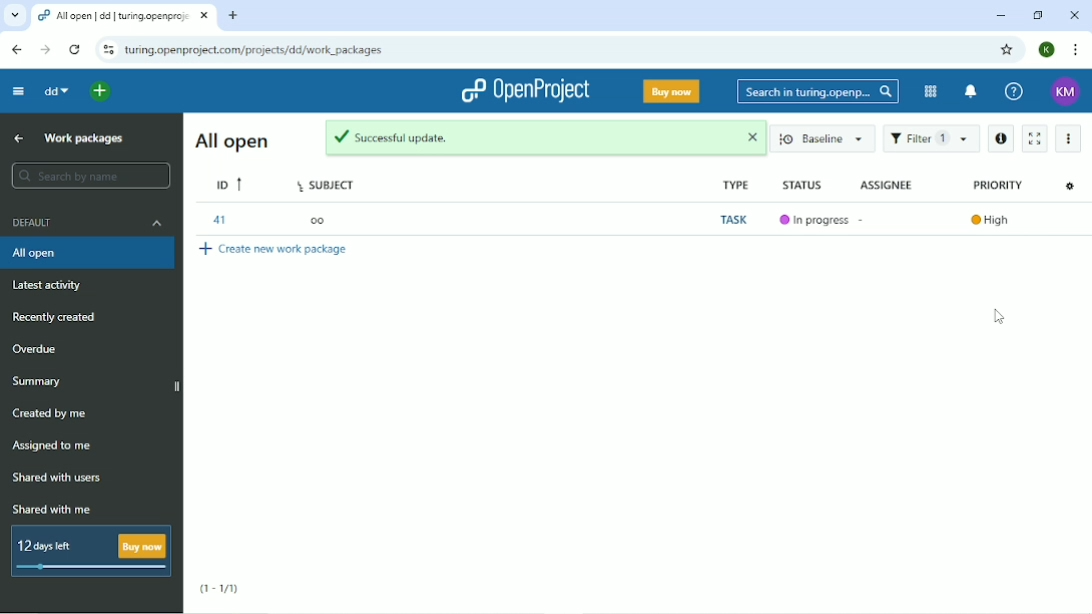 The image size is (1092, 614). Describe the element at coordinates (894, 187) in the screenshot. I see `Assignee` at that location.